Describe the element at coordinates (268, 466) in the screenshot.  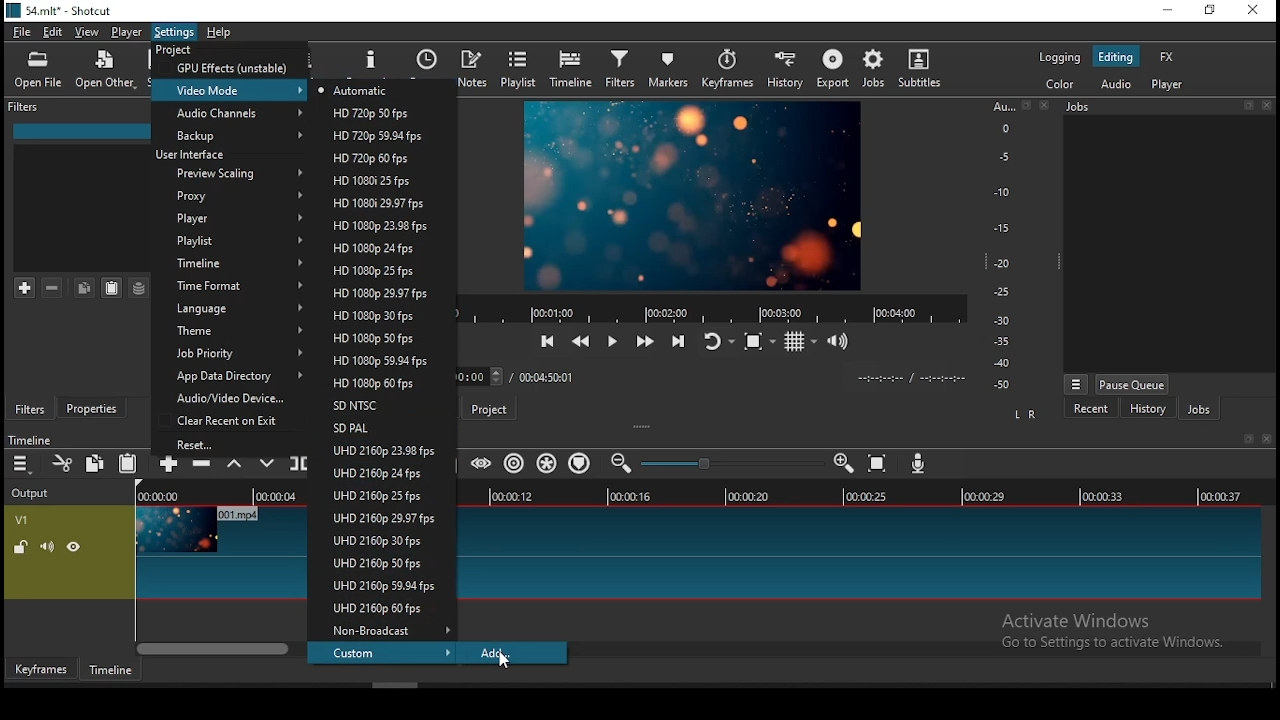
I see `overwrite` at that location.